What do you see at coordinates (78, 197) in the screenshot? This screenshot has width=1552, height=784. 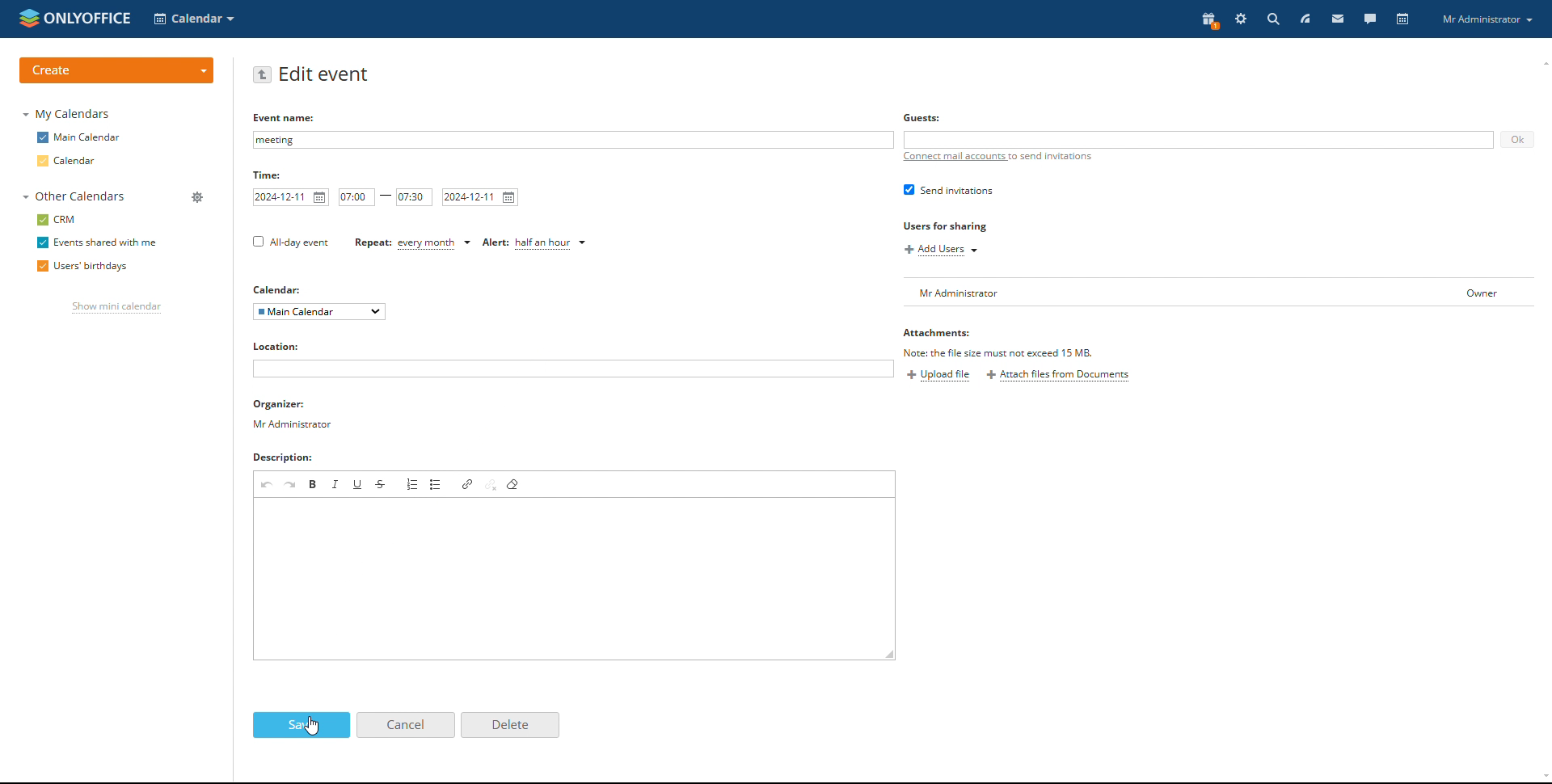 I see `other calendars` at bounding box center [78, 197].